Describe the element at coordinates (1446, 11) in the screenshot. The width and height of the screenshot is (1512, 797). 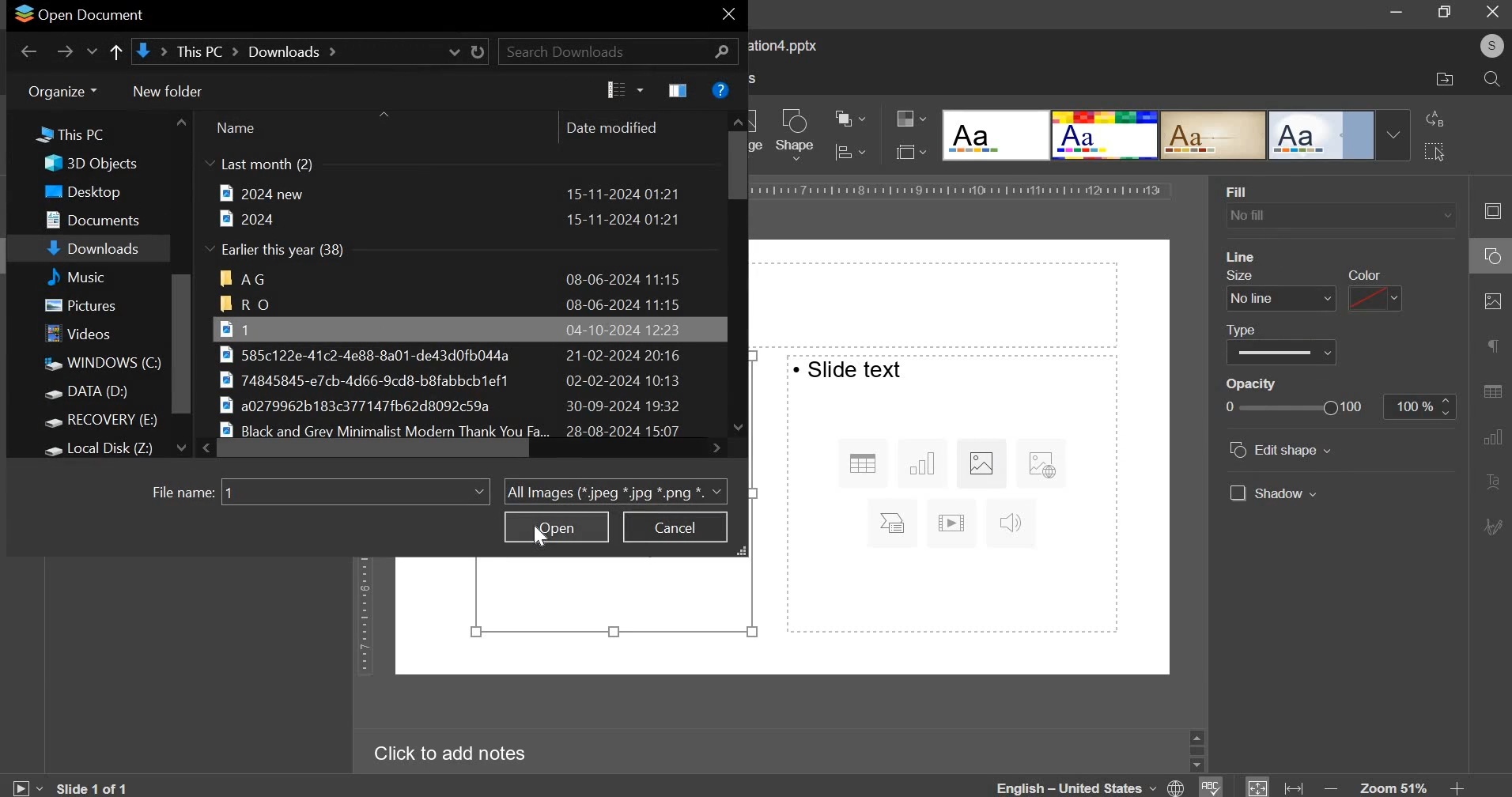
I see `maximize` at that location.